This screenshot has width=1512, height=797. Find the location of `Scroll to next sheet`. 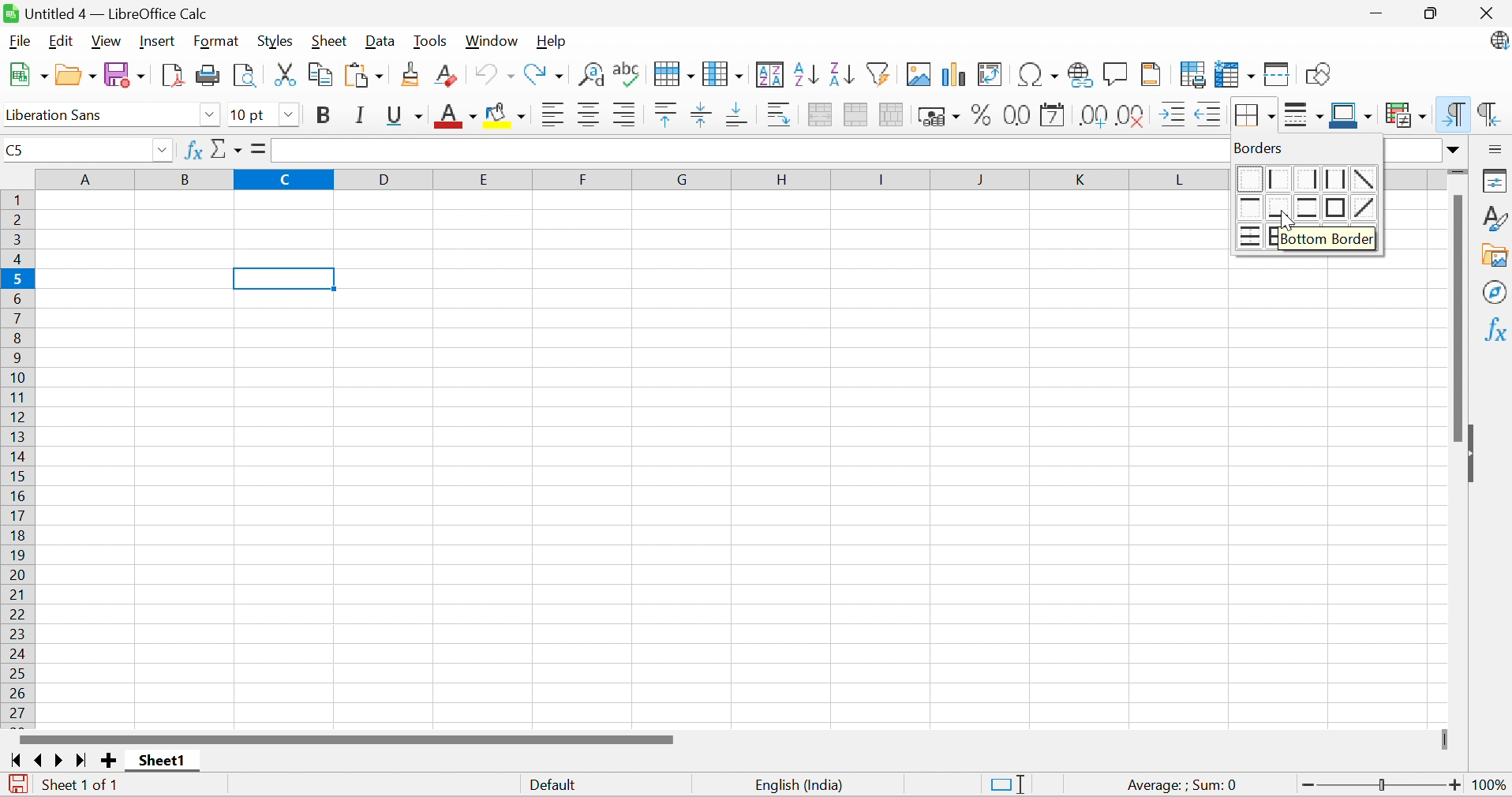

Scroll to next sheet is located at coordinates (60, 760).